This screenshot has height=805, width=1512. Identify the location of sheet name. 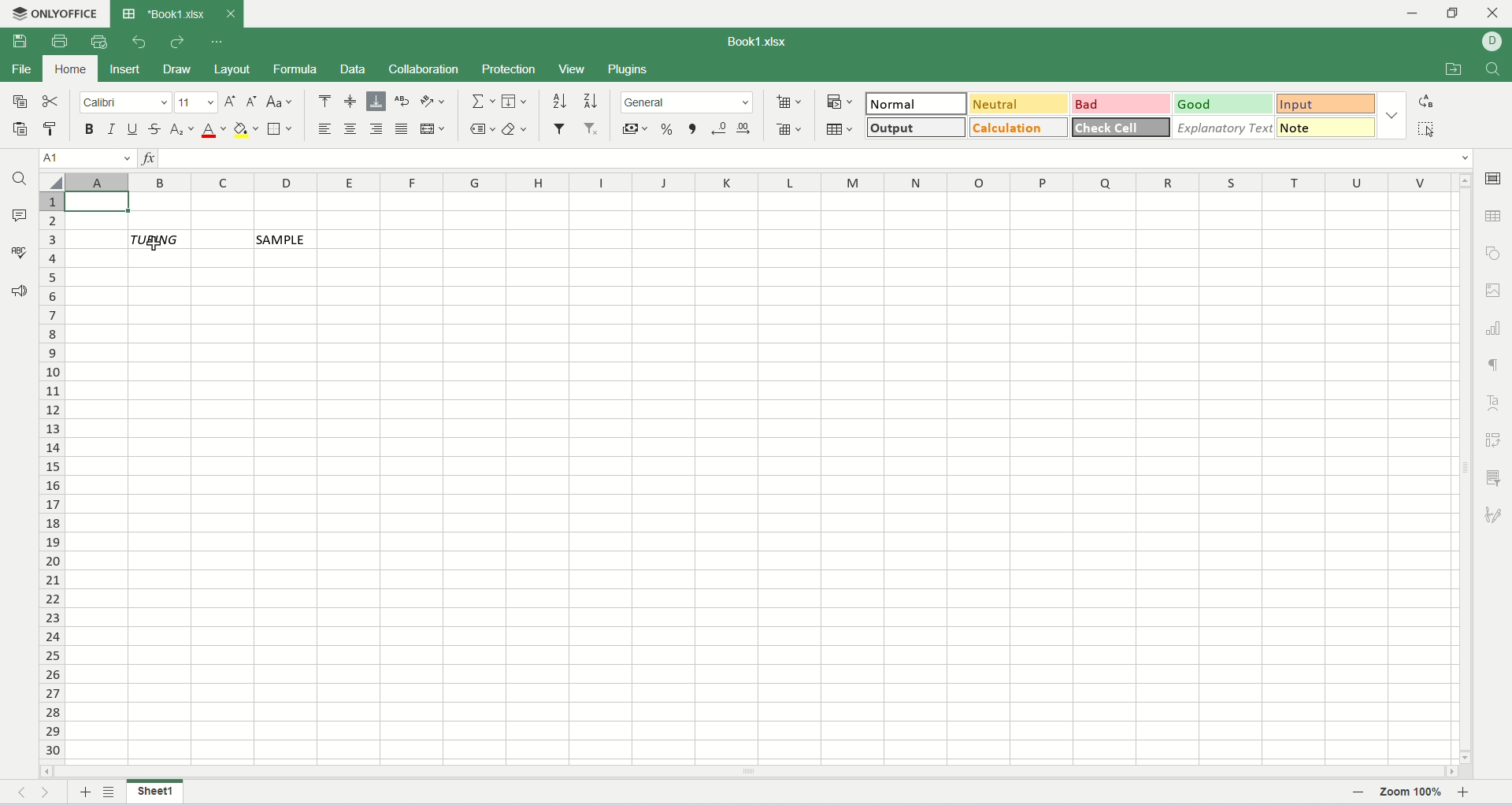
(154, 791).